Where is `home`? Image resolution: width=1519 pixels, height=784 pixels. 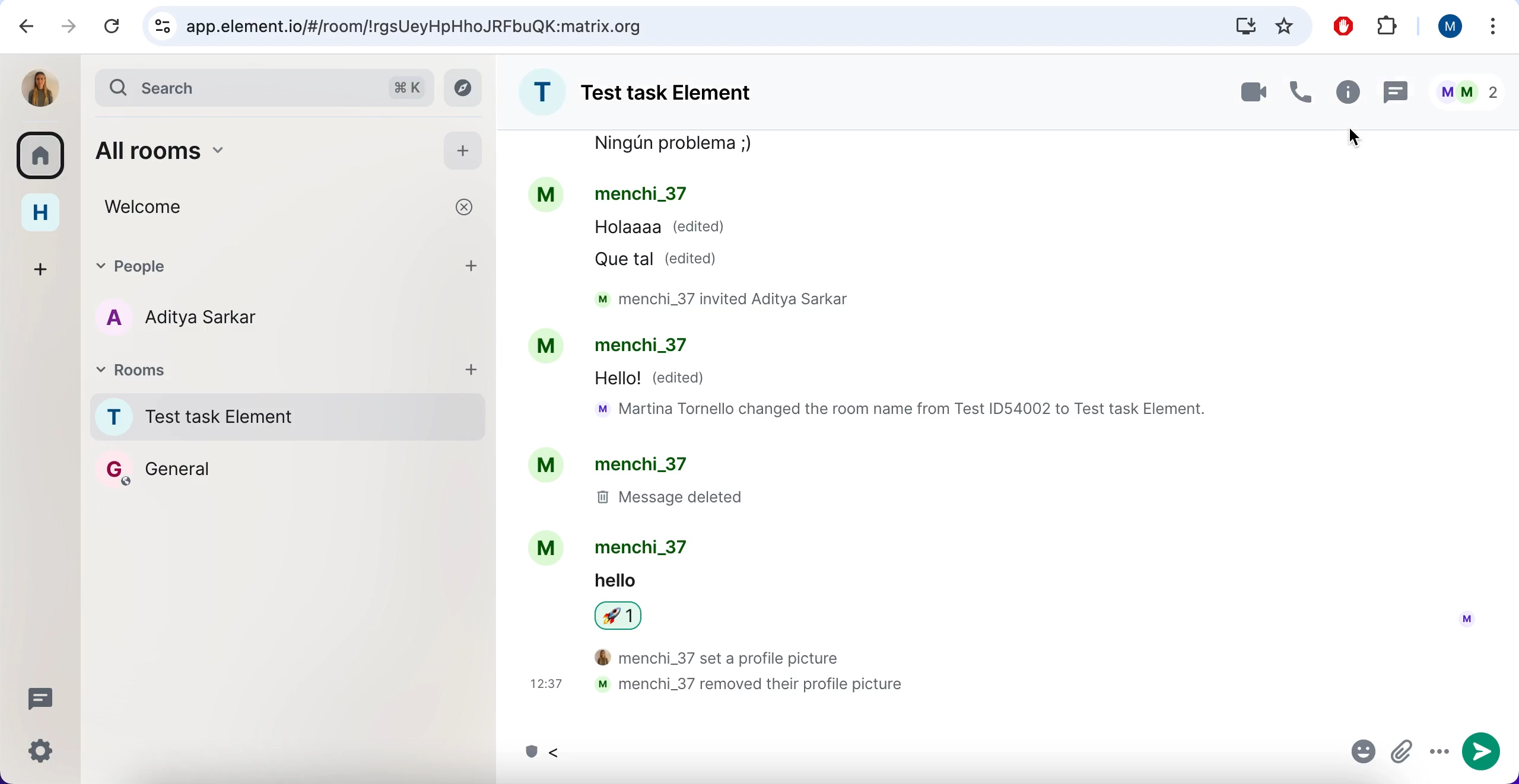 home is located at coordinates (39, 215).